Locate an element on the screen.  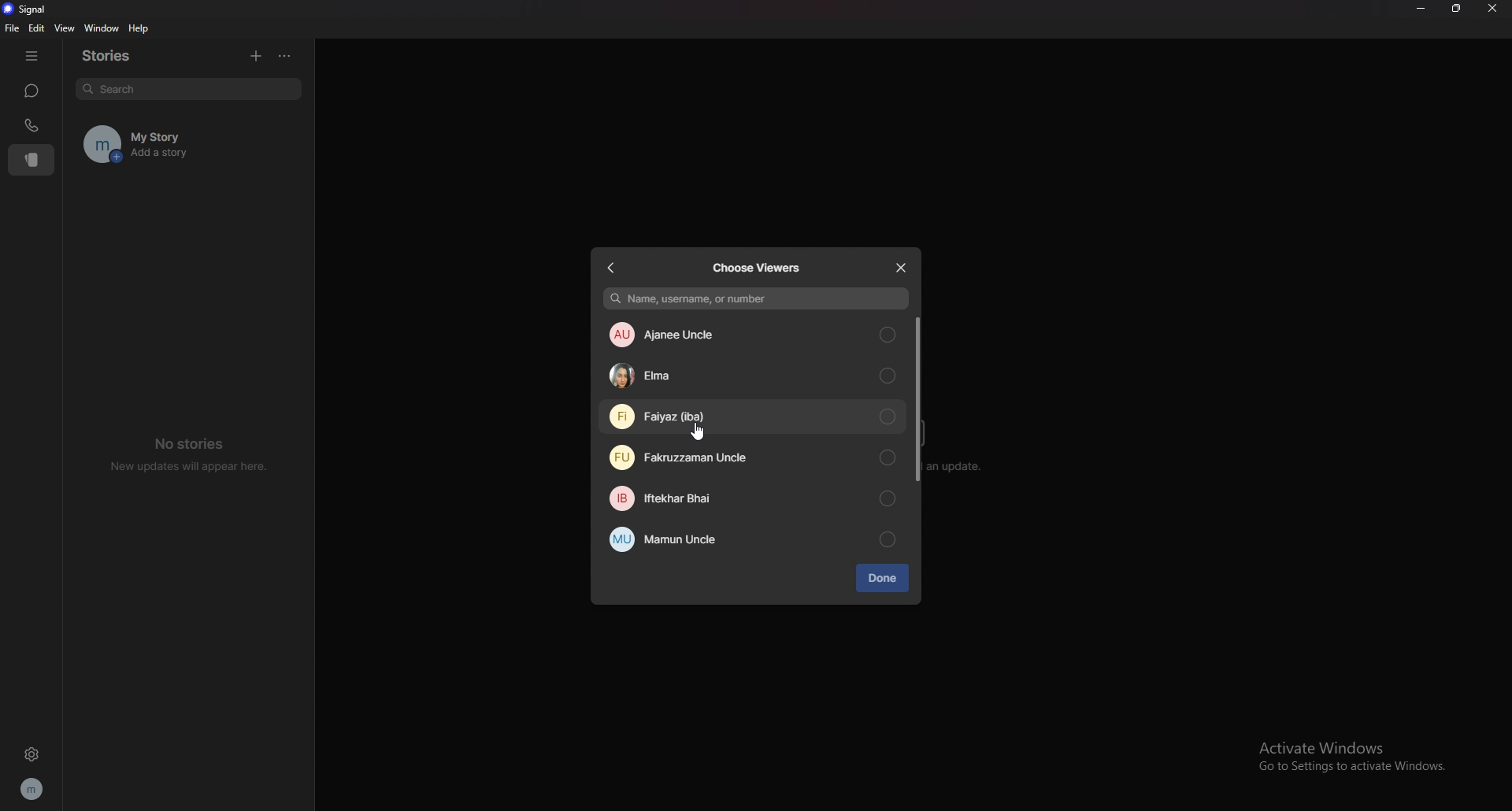
resize is located at coordinates (1456, 9).